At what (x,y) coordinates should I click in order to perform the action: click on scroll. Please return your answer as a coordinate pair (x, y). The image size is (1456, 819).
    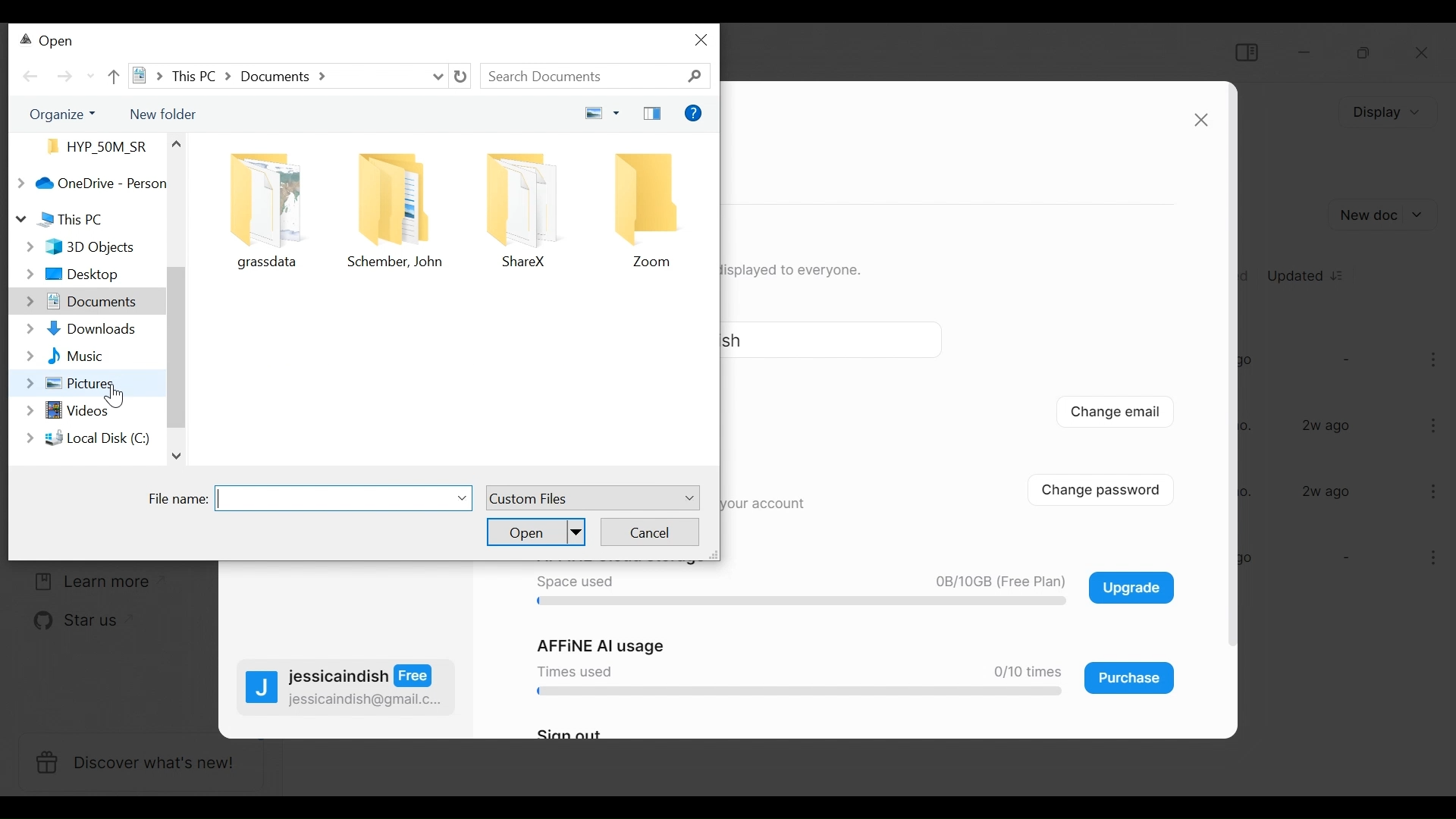
    Looking at the image, I should click on (177, 345).